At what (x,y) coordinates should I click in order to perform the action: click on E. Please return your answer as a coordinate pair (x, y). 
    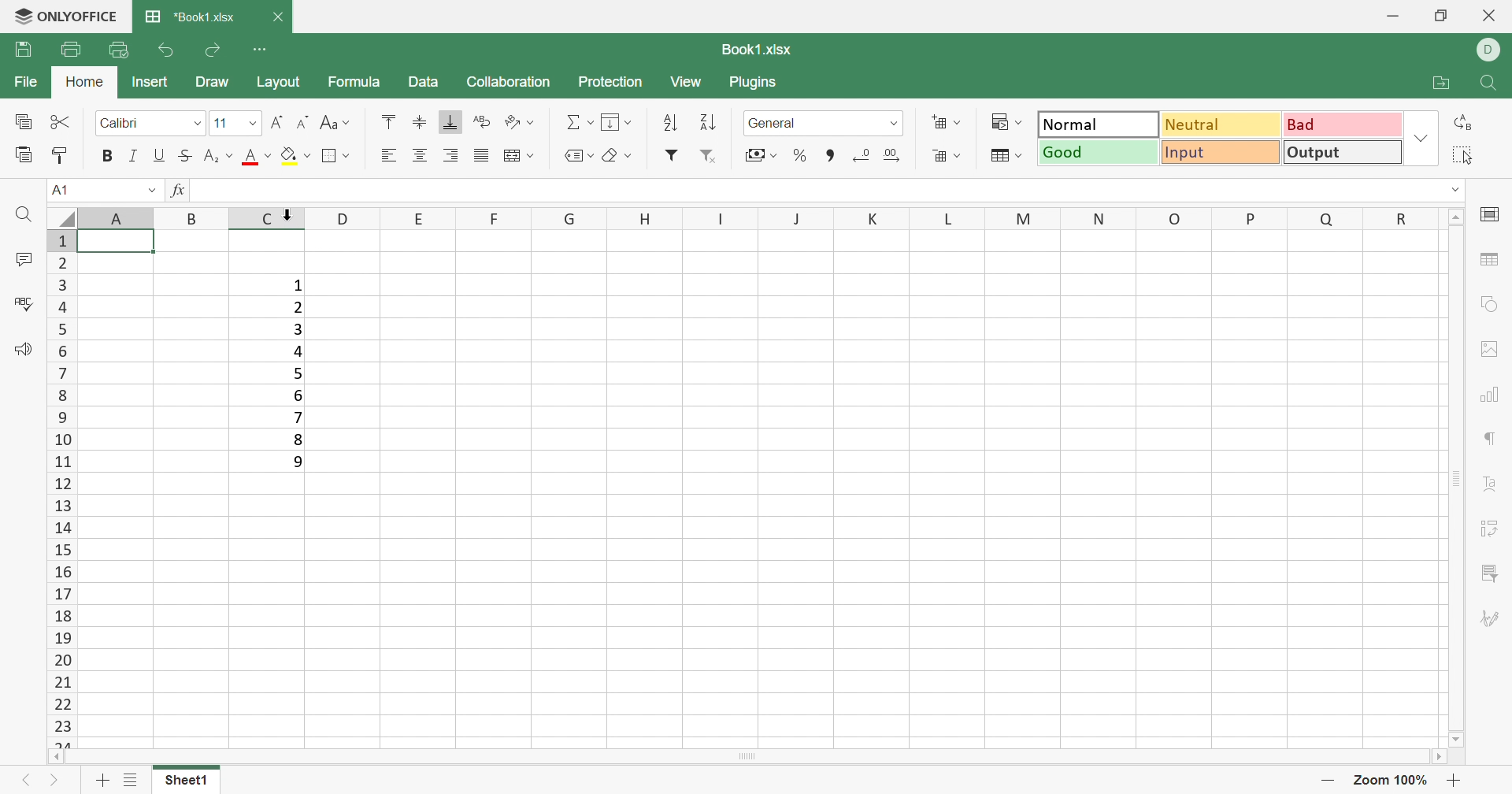
    Looking at the image, I should click on (416, 219).